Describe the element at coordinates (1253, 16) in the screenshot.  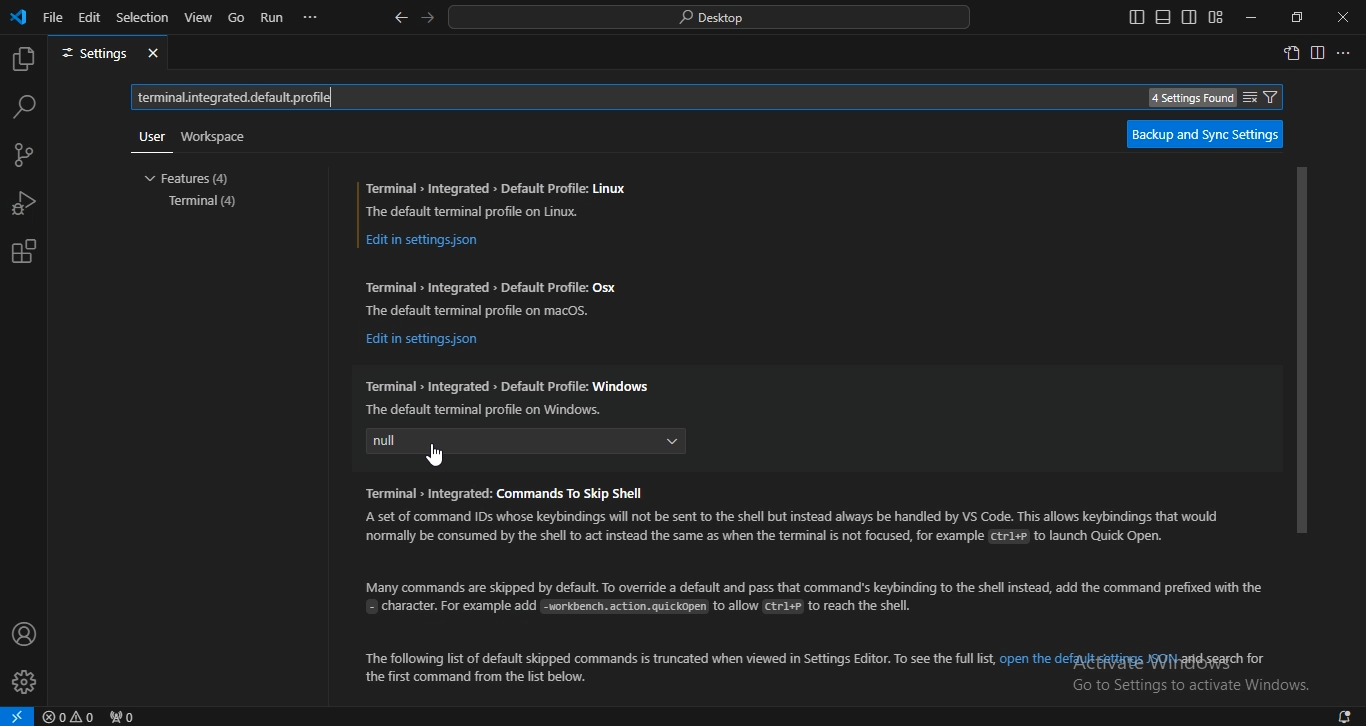
I see `minimize` at that location.